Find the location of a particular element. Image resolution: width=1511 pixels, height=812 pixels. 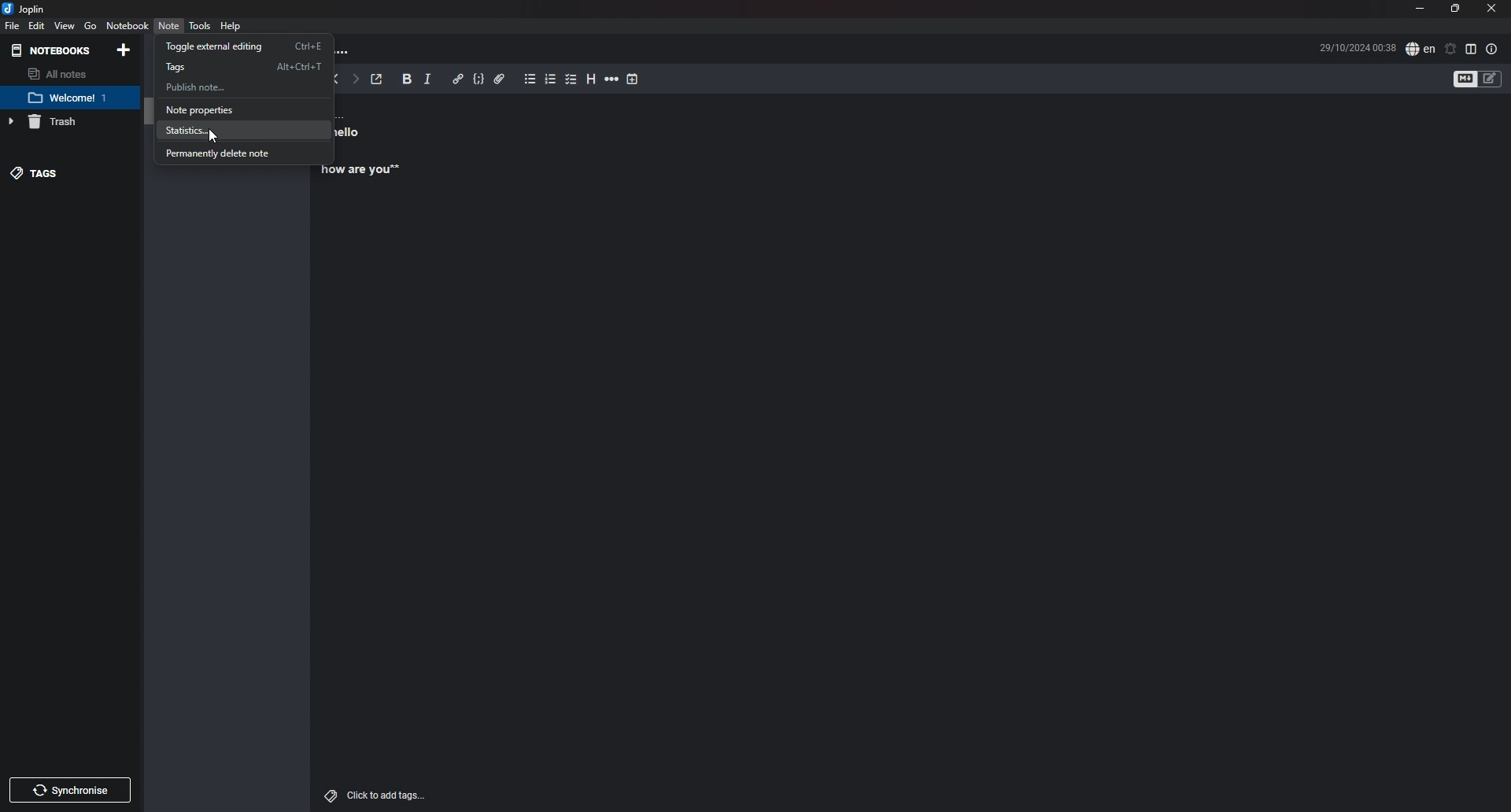

Note properties is located at coordinates (233, 110).